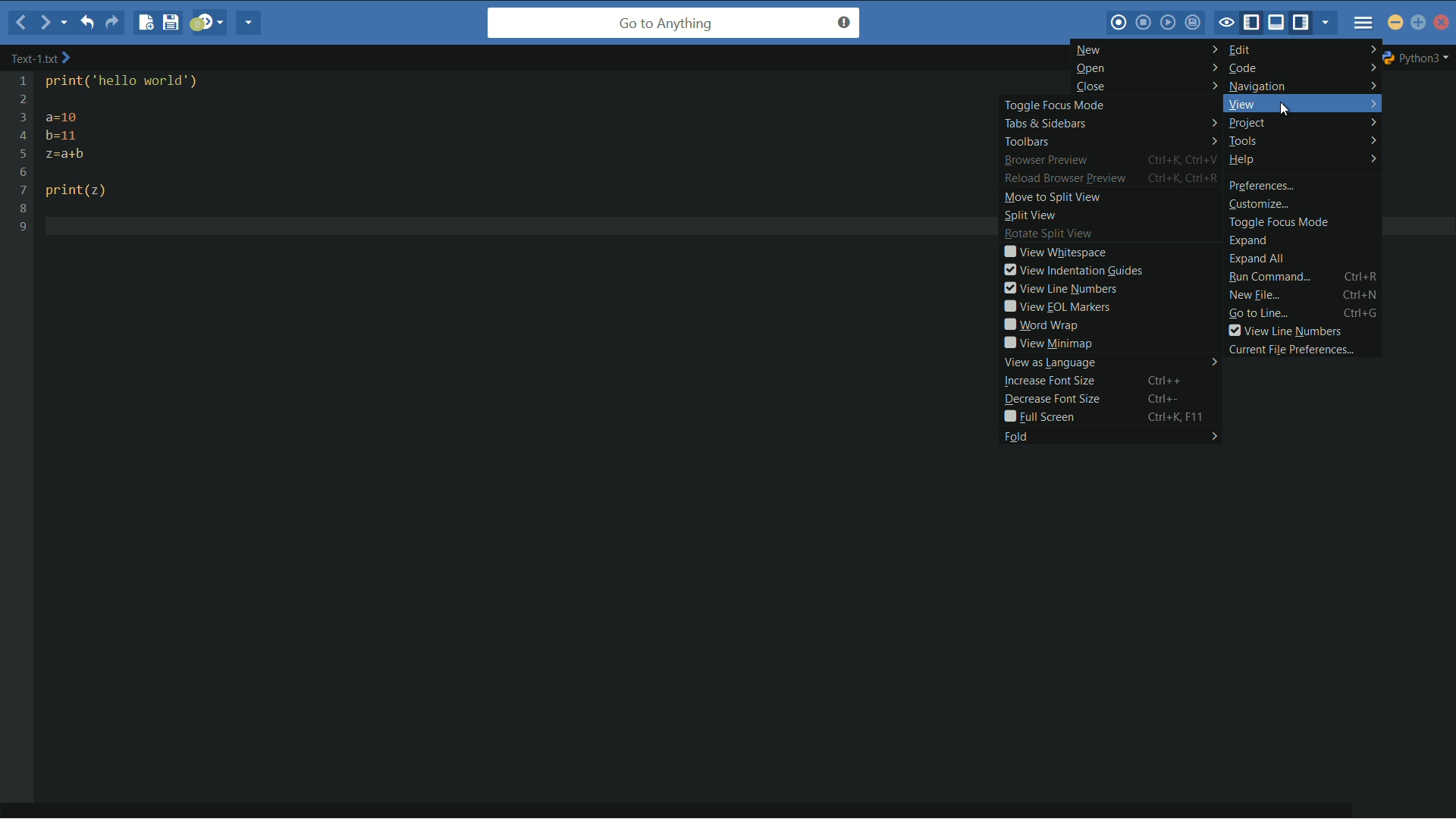  What do you see at coordinates (114, 23) in the screenshot?
I see `redo` at bounding box center [114, 23].